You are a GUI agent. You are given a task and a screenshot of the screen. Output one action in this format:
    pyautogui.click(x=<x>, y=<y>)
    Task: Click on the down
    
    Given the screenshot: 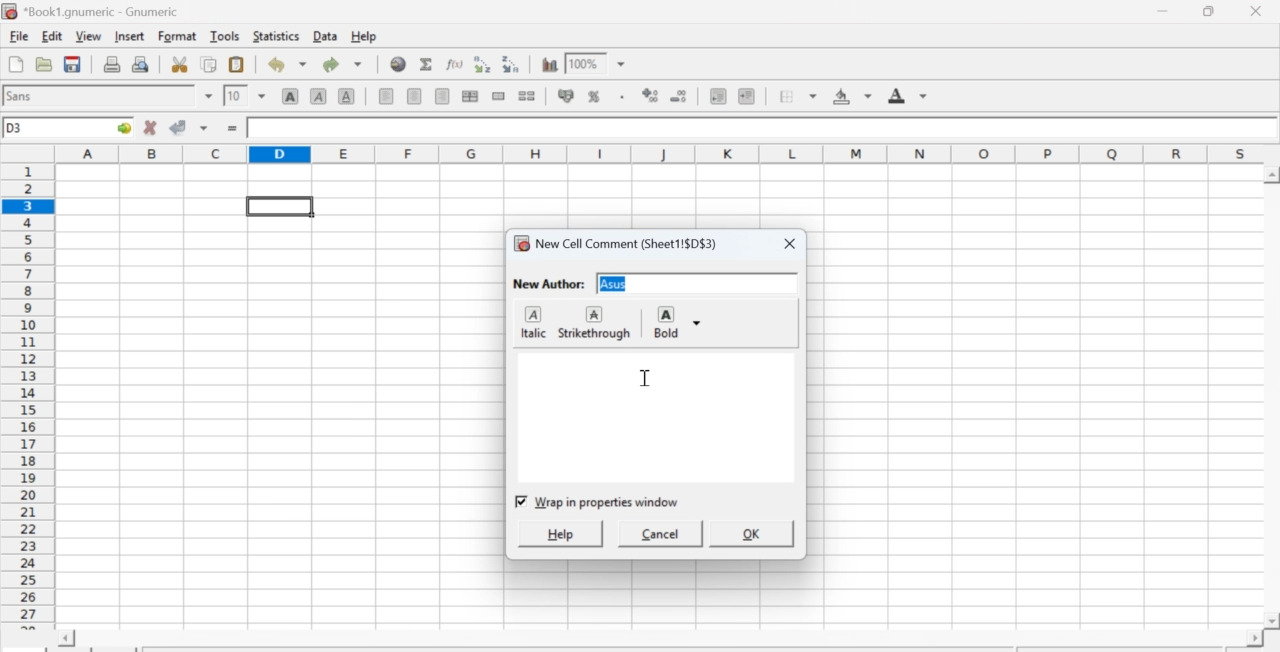 What is the action you would take?
    pyautogui.click(x=623, y=64)
    